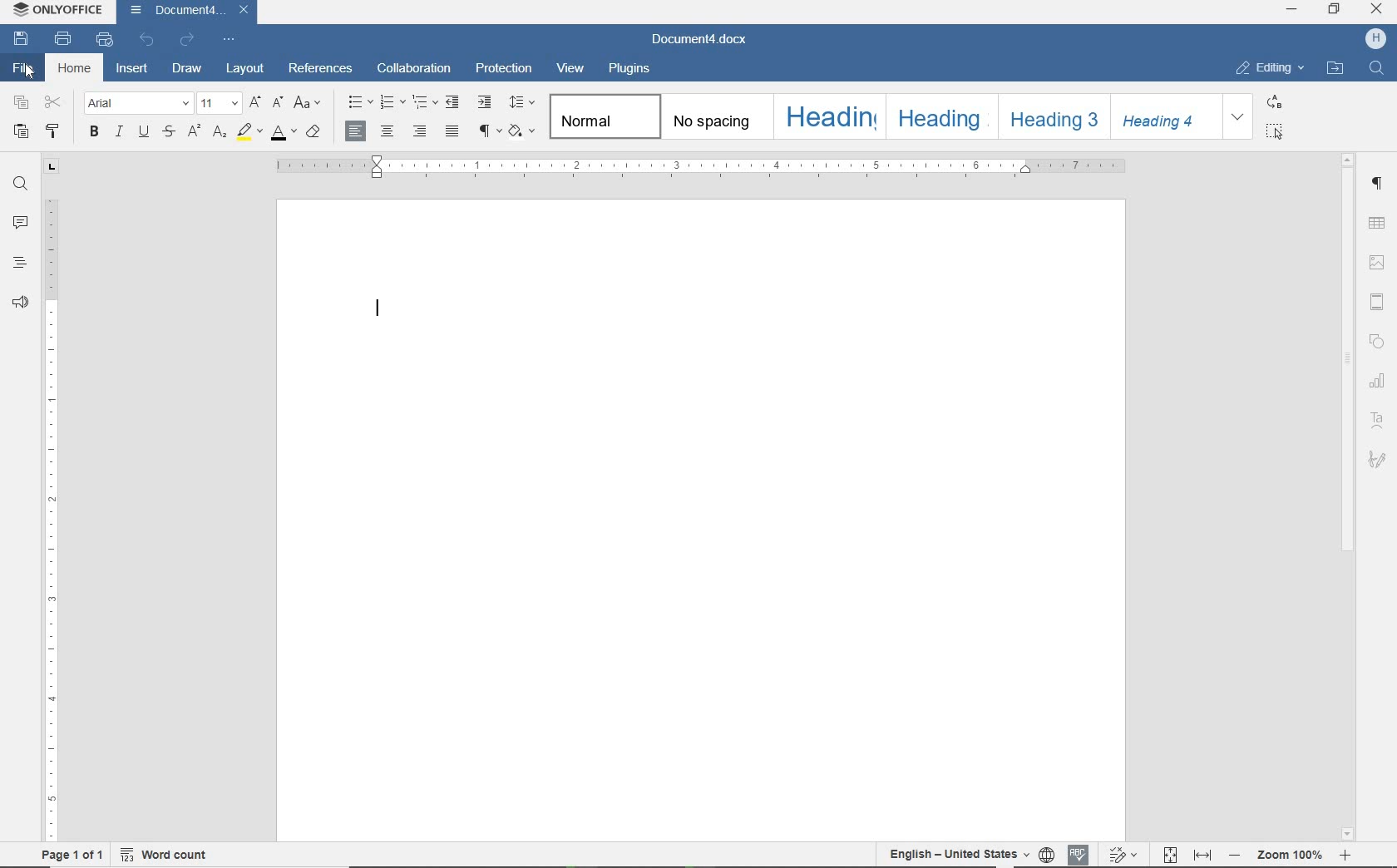 This screenshot has height=868, width=1397. I want to click on file, so click(21, 68).